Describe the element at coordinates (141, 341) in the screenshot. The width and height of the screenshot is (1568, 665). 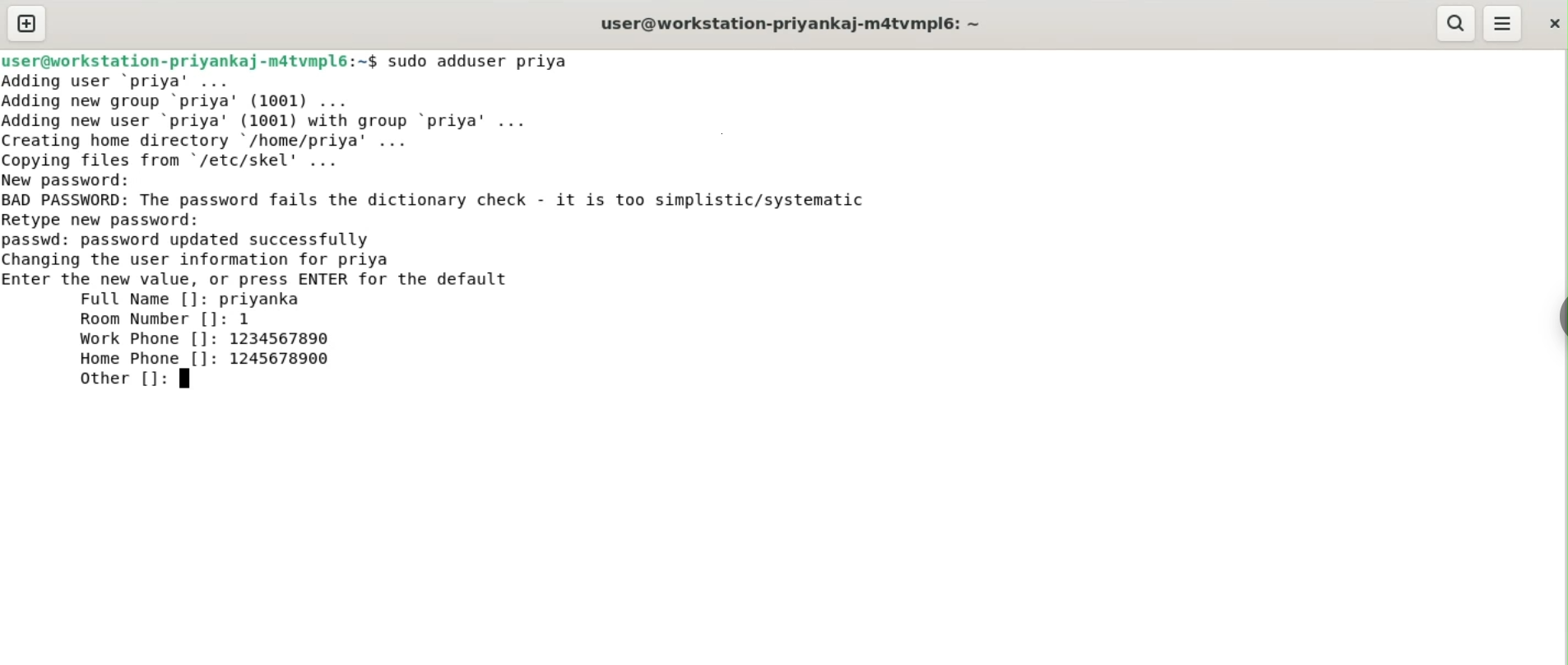
I see `work phone []:` at that location.